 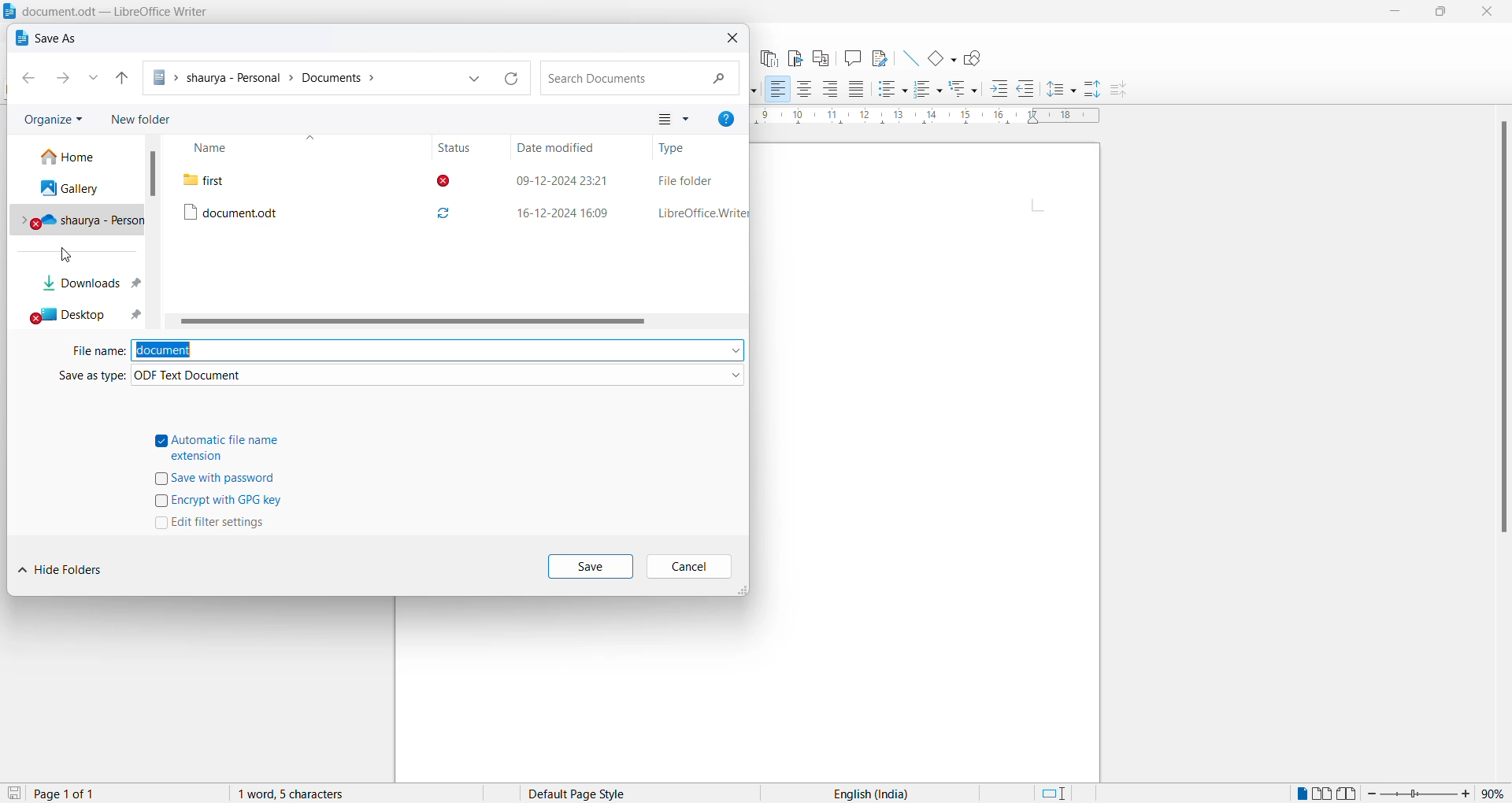 I want to click on File status , so click(x=453, y=200).